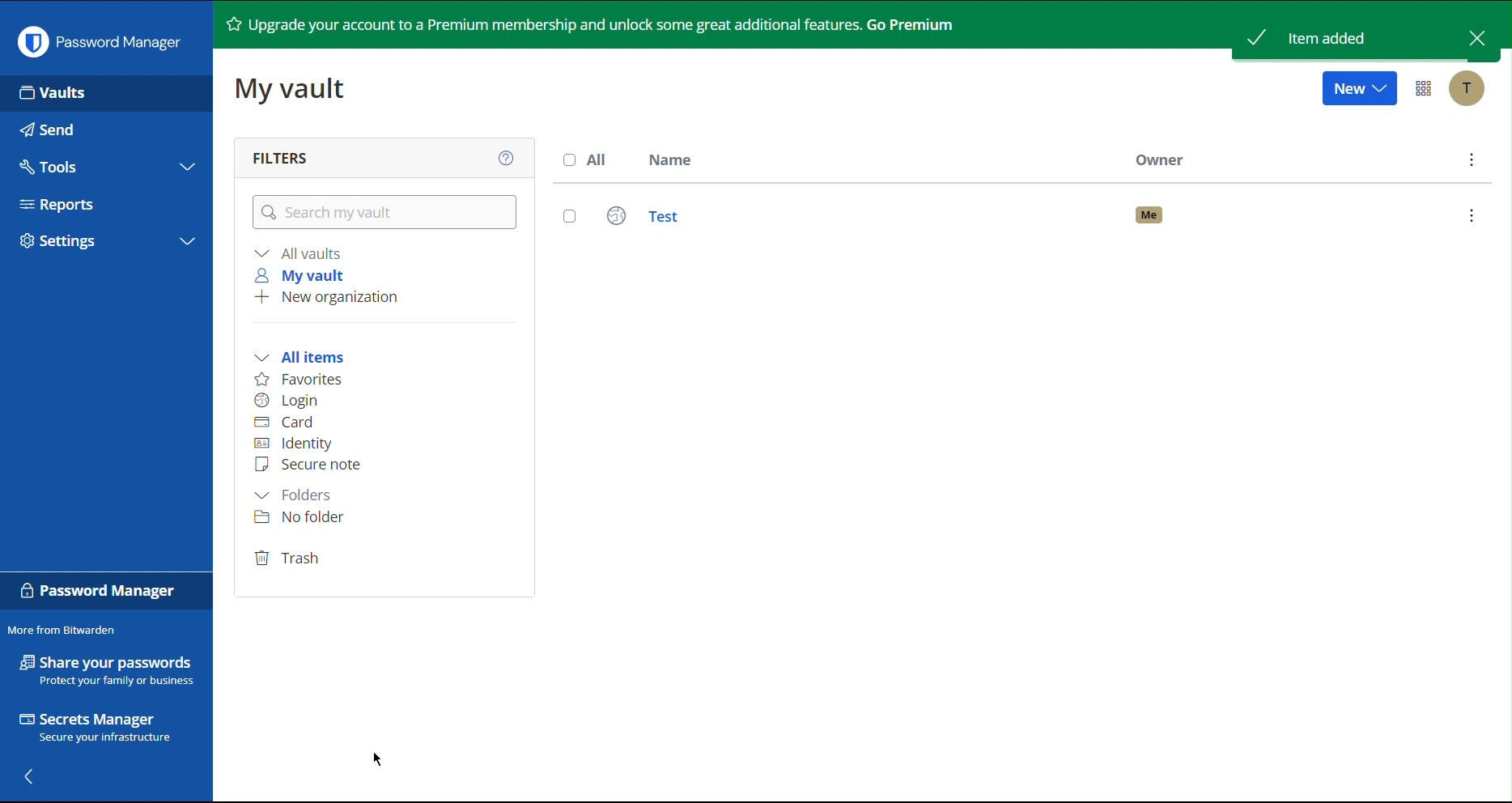 Image resolution: width=1512 pixels, height=803 pixels. I want to click on All items, so click(299, 359).